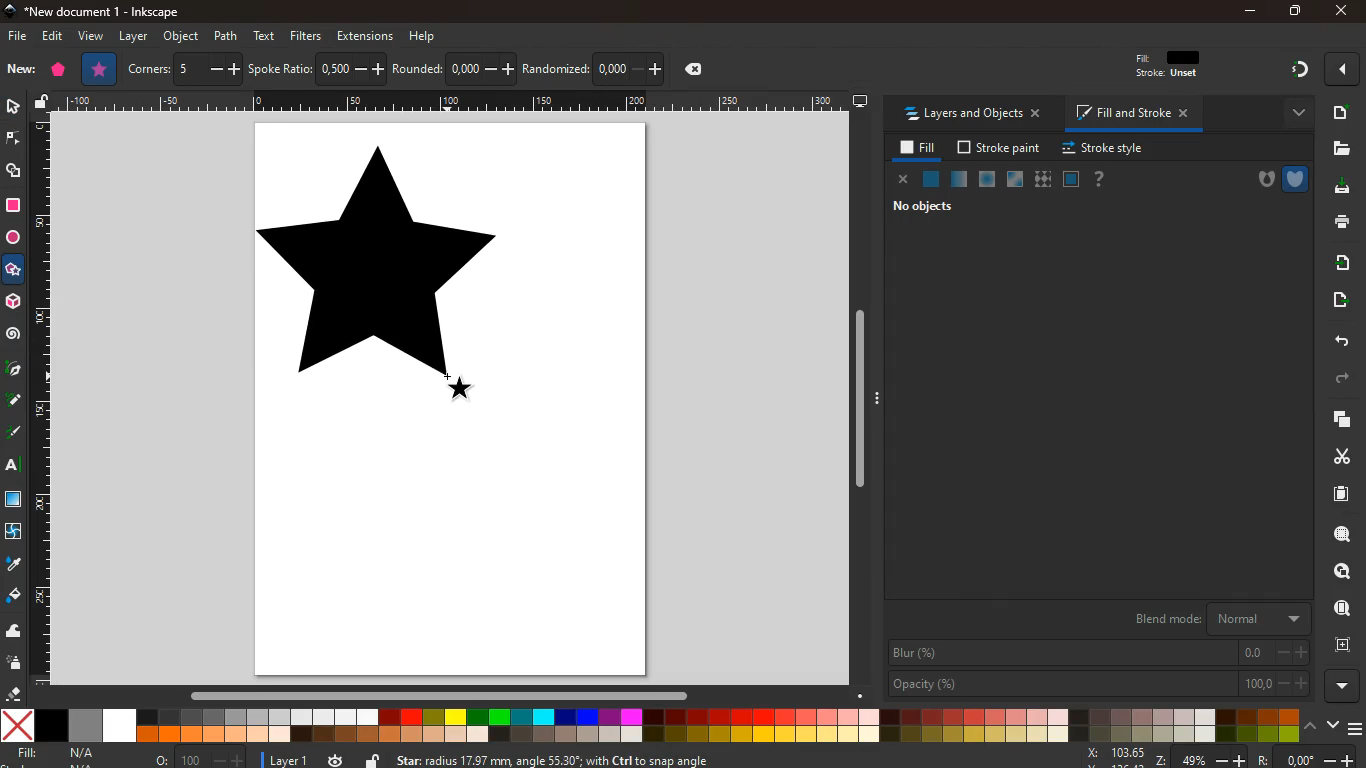  Describe the element at coordinates (989, 180) in the screenshot. I see `ice` at that location.